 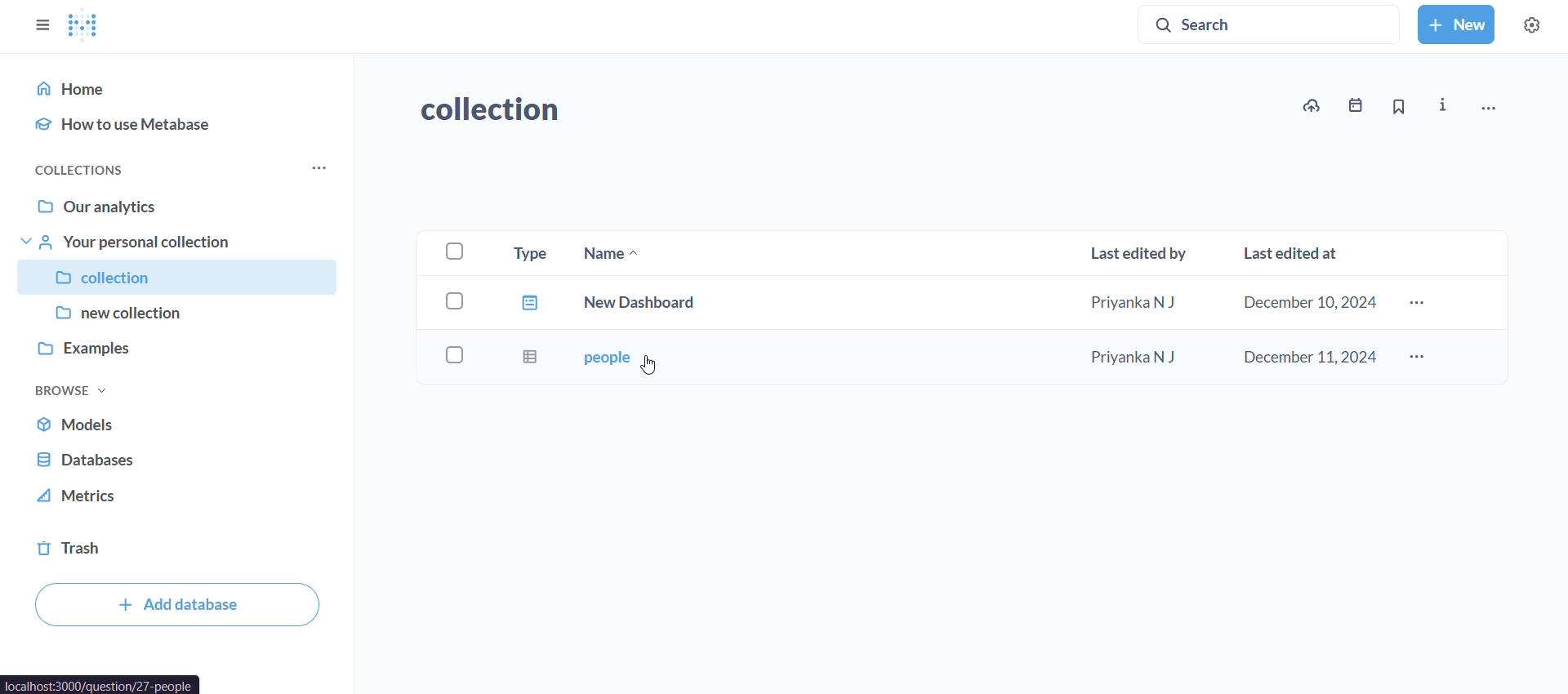 What do you see at coordinates (180, 129) in the screenshot?
I see `how to use metabase` at bounding box center [180, 129].